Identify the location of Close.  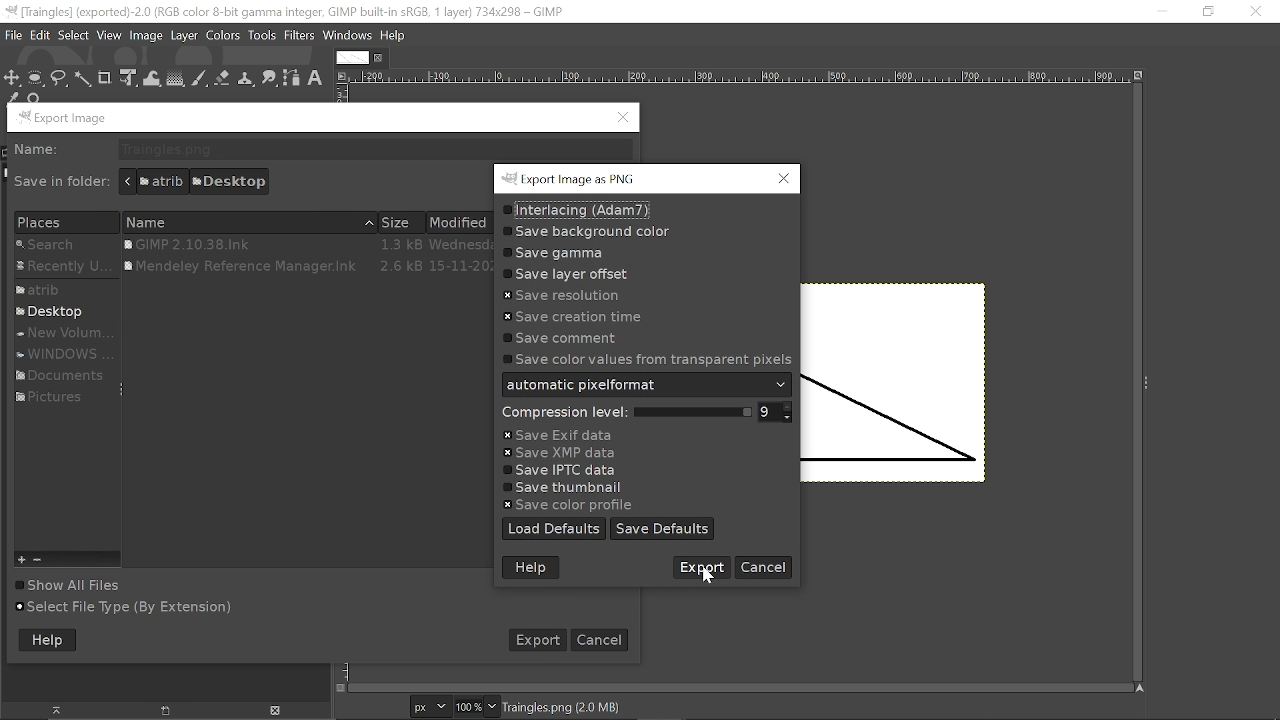
(784, 178).